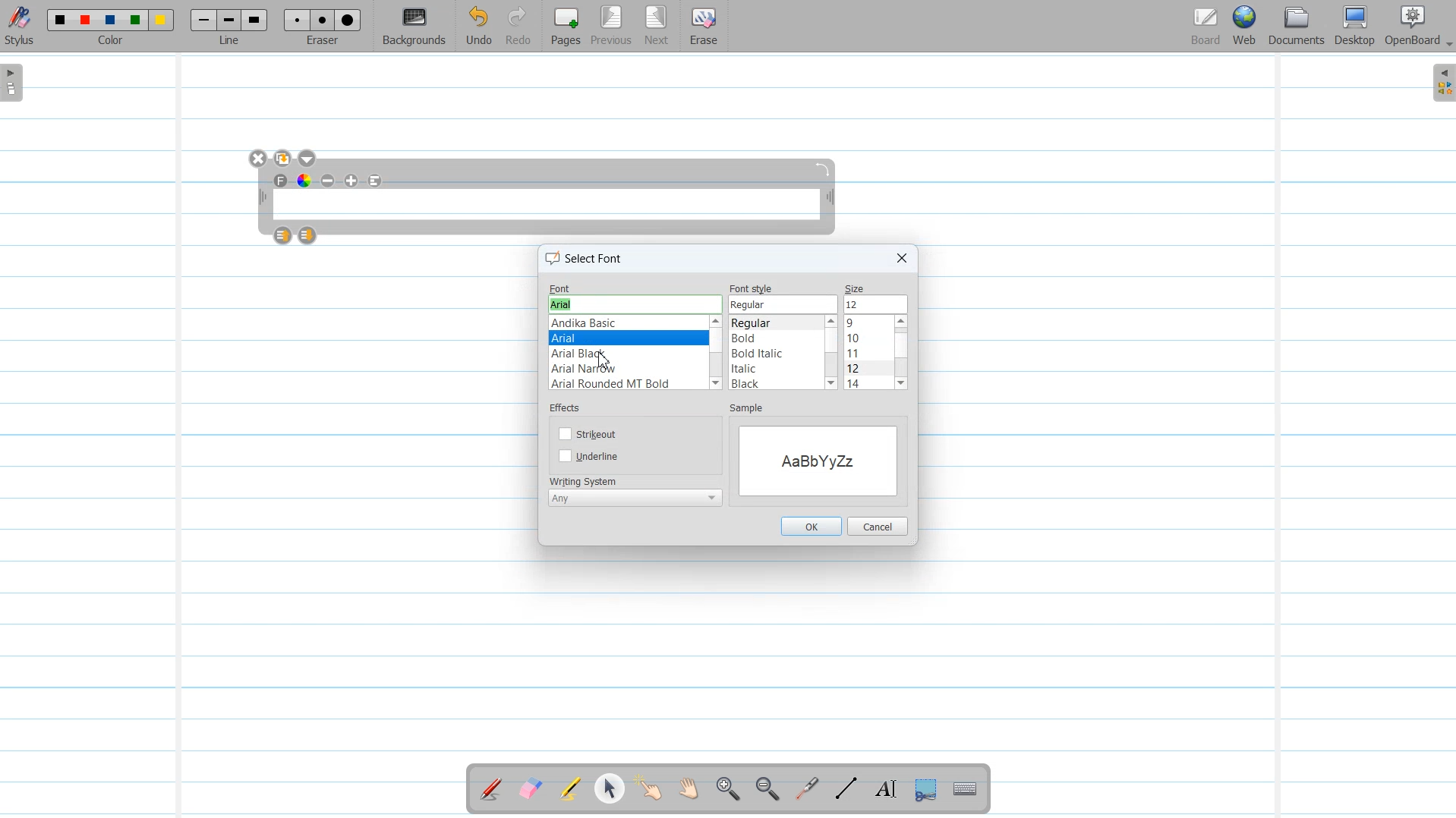  I want to click on Line, so click(231, 26).